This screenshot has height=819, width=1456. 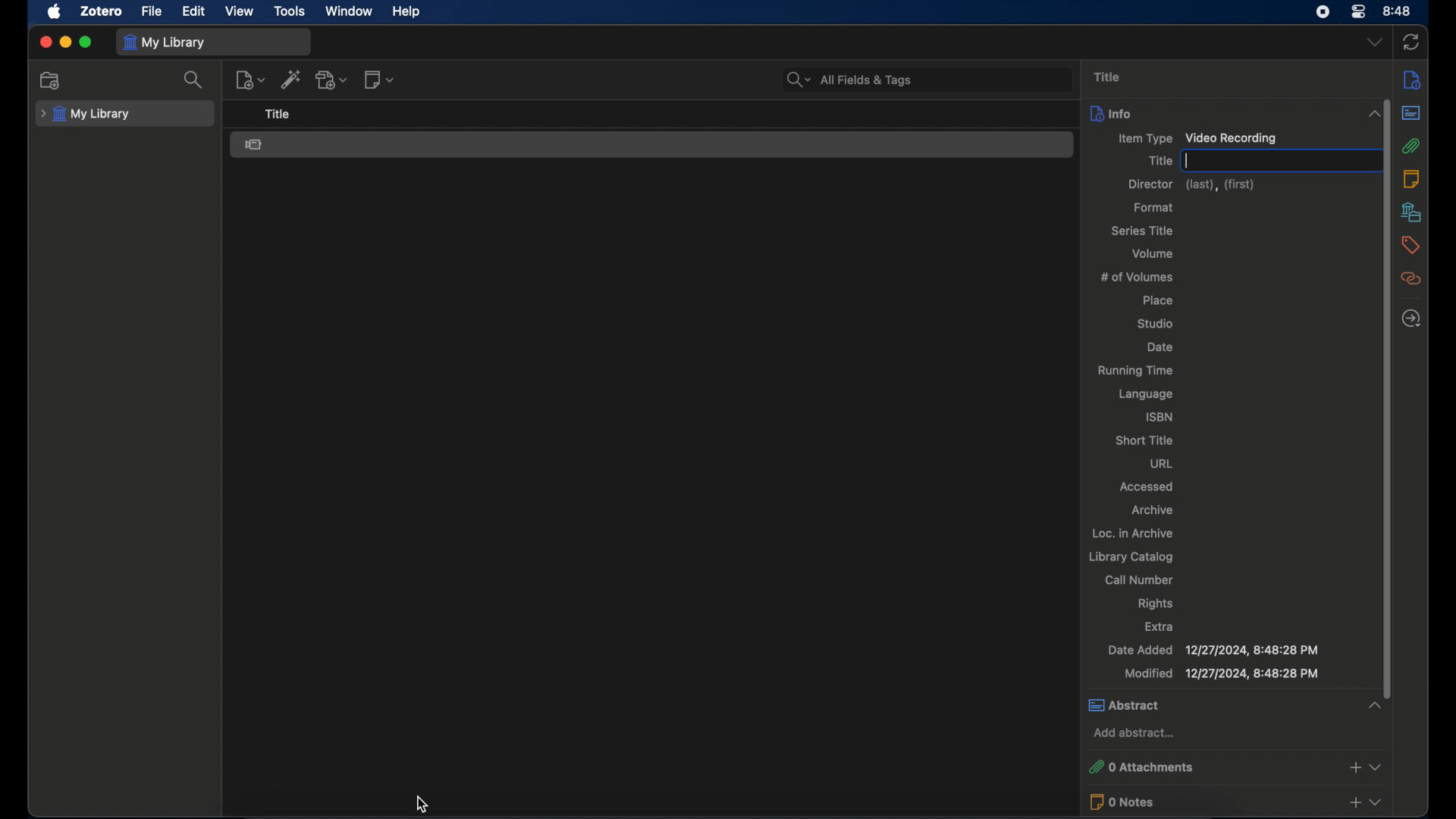 What do you see at coordinates (1137, 277) in the screenshot?
I see `no of volumes` at bounding box center [1137, 277].